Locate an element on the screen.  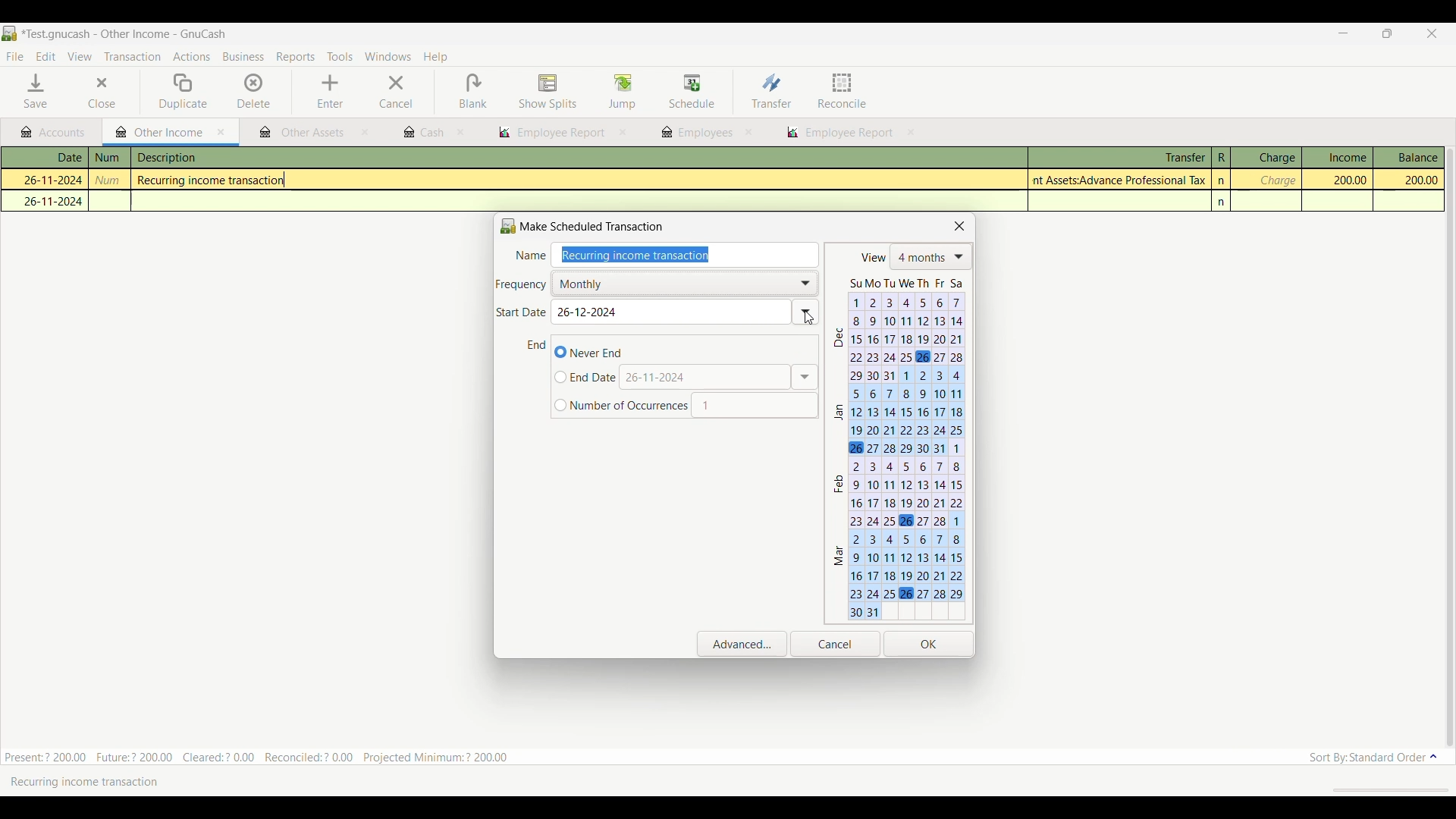
Input specific end date is located at coordinates (586, 378).